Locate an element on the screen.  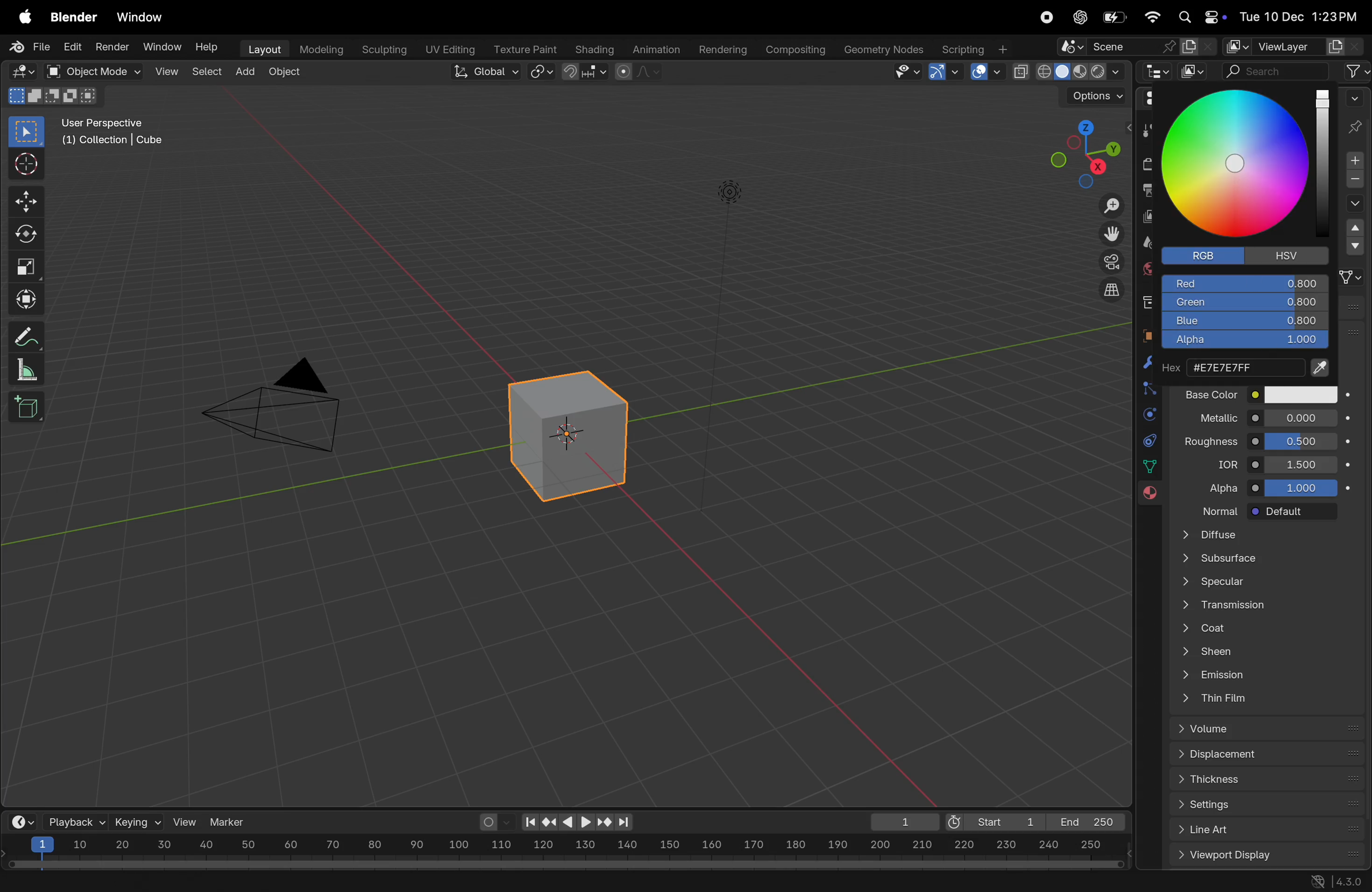
modifiers is located at coordinates (1141, 365).